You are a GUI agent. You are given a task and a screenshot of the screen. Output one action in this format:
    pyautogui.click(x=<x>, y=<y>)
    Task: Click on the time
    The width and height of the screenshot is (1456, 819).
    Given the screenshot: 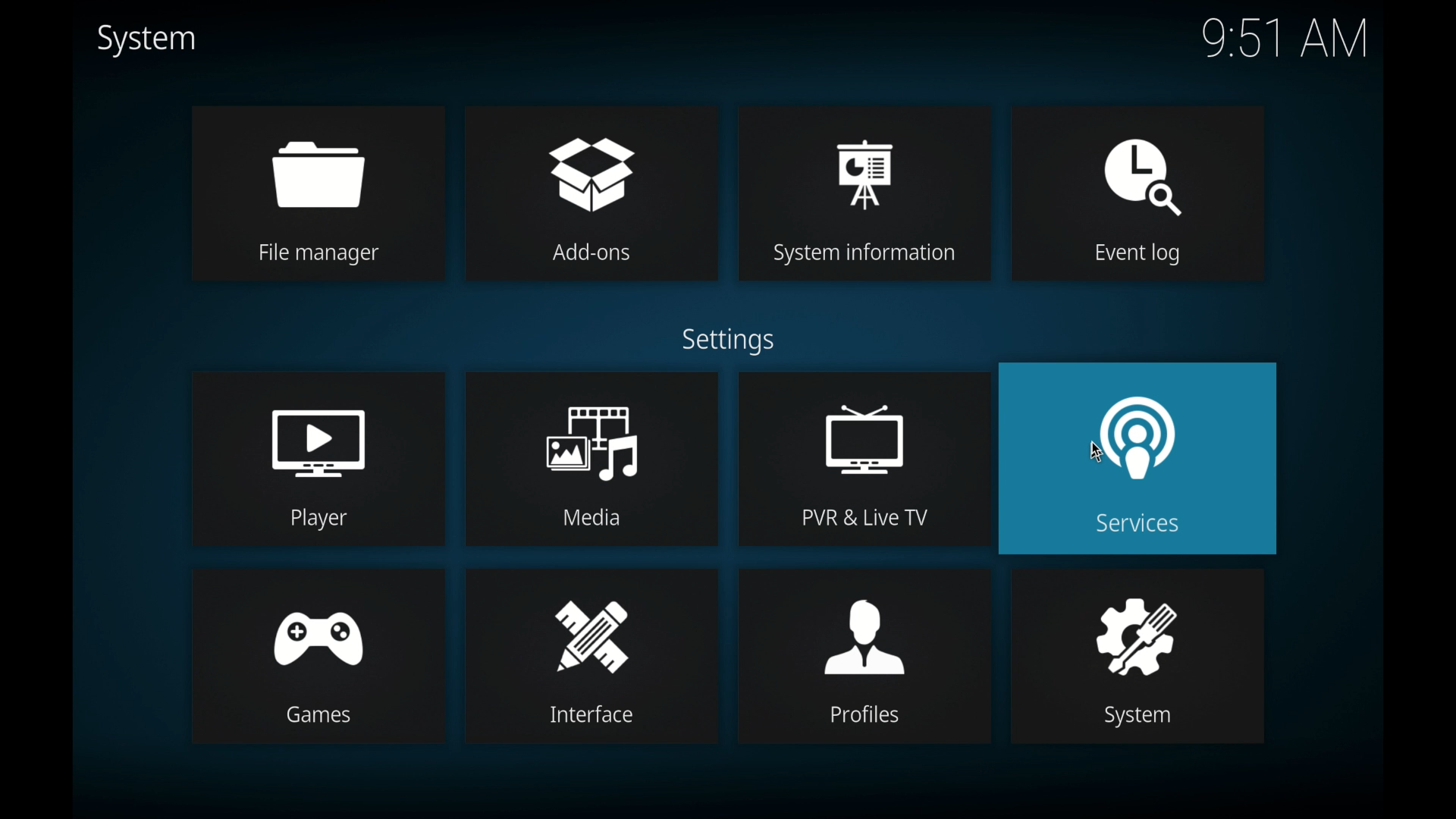 What is the action you would take?
    pyautogui.click(x=1285, y=39)
    